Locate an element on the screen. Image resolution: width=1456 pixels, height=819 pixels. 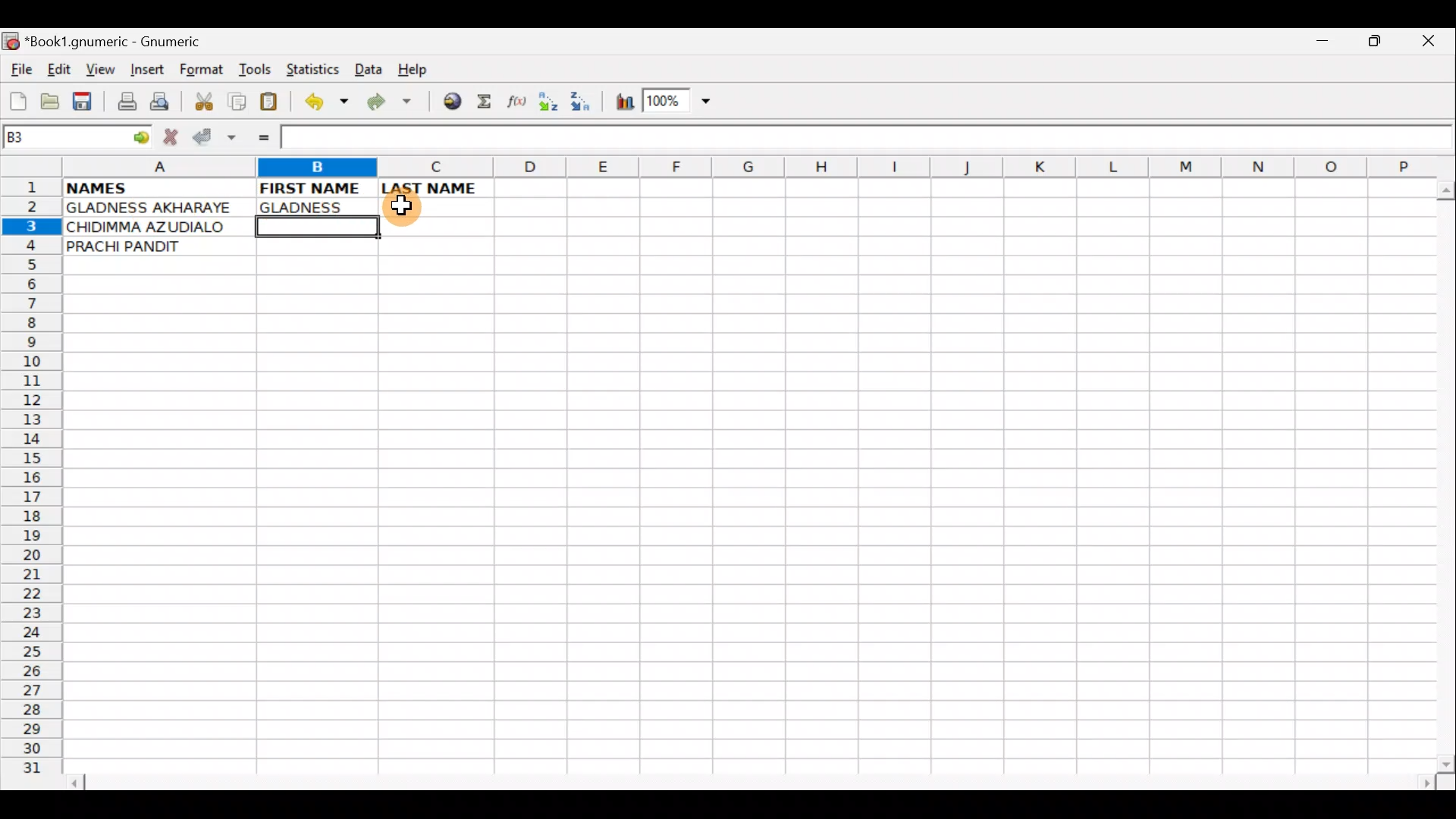
Cells is located at coordinates (746, 528).